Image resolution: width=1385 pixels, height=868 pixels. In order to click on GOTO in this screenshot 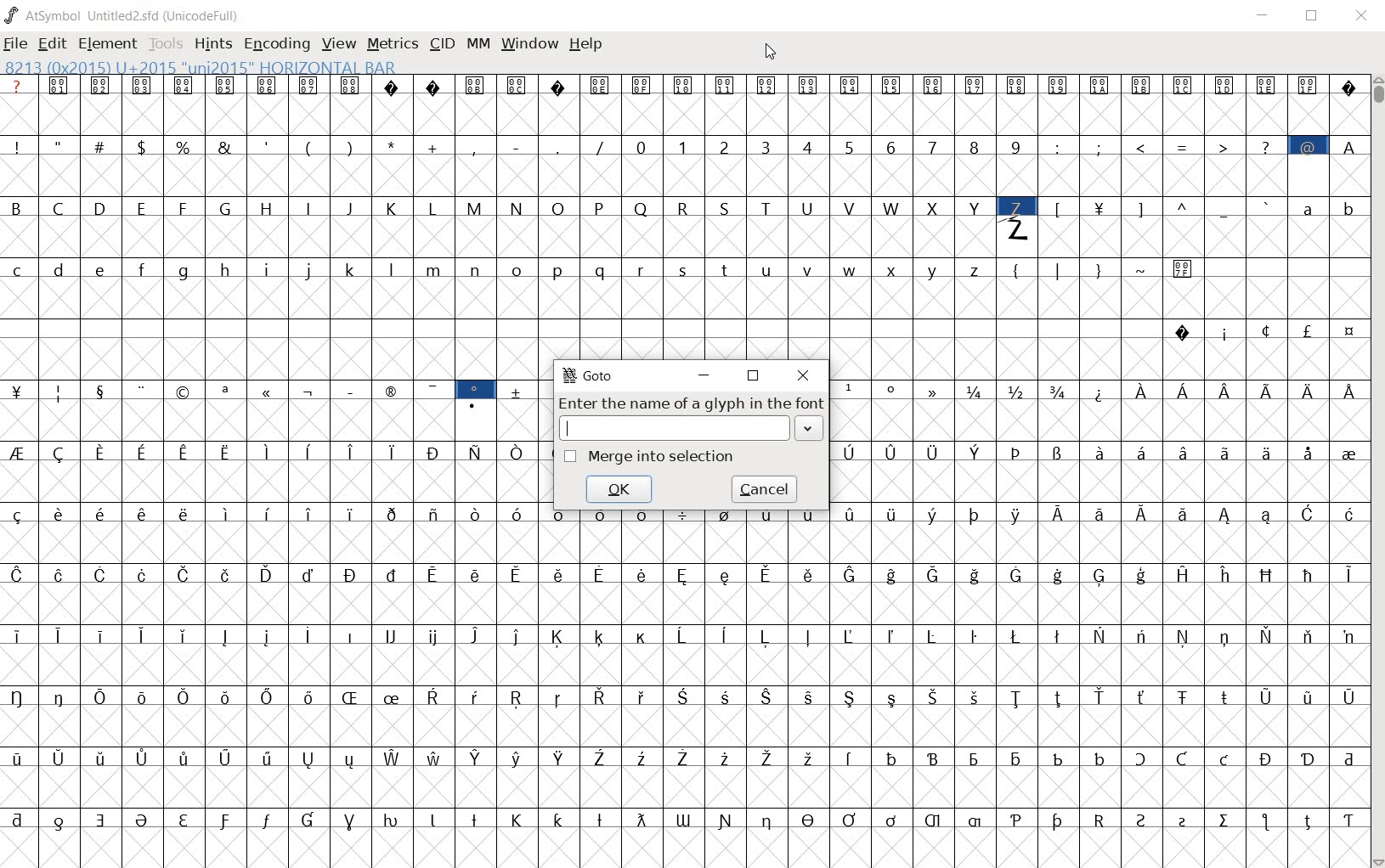, I will do `click(589, 375)`.